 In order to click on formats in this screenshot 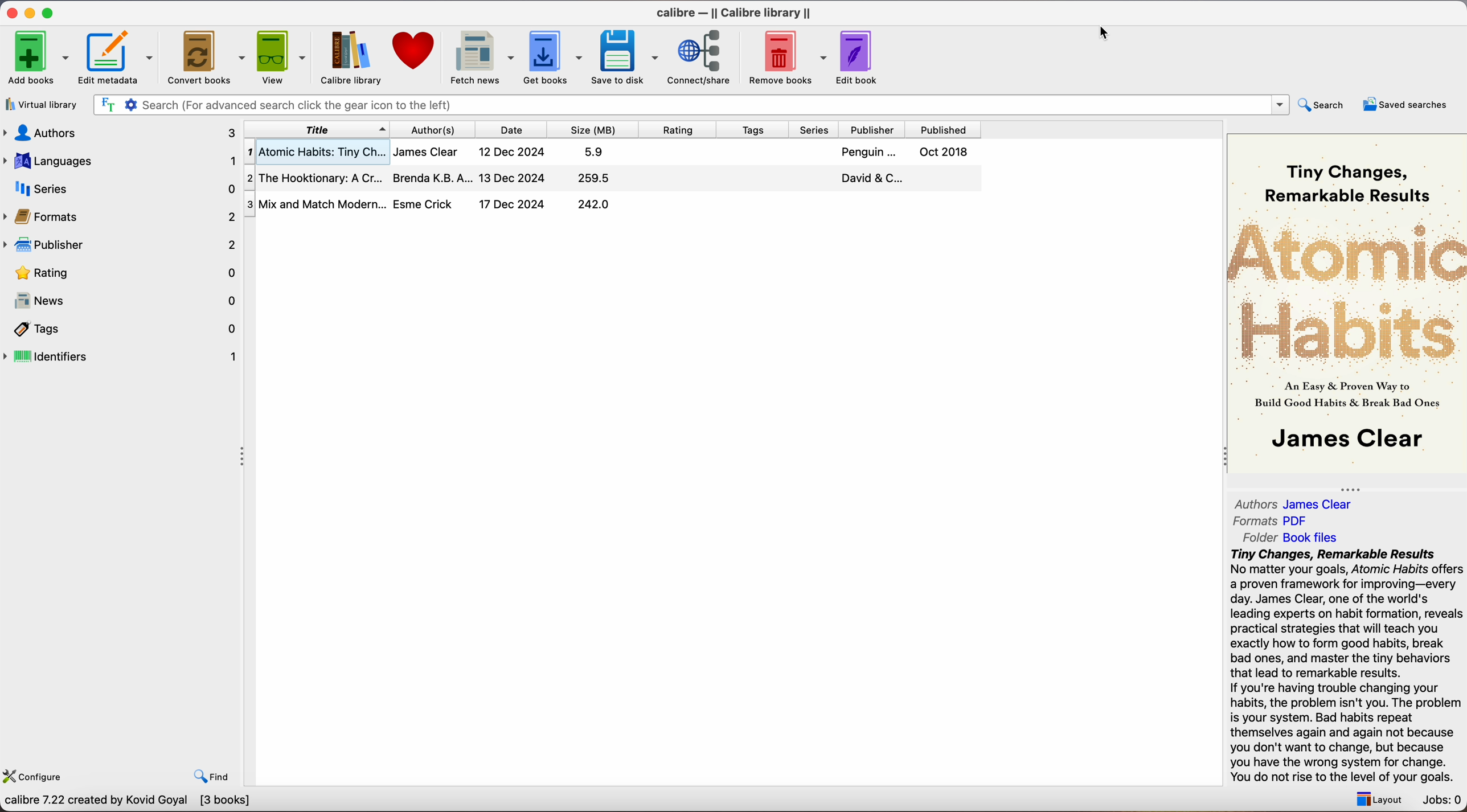, I will do `click(121, 216)`.